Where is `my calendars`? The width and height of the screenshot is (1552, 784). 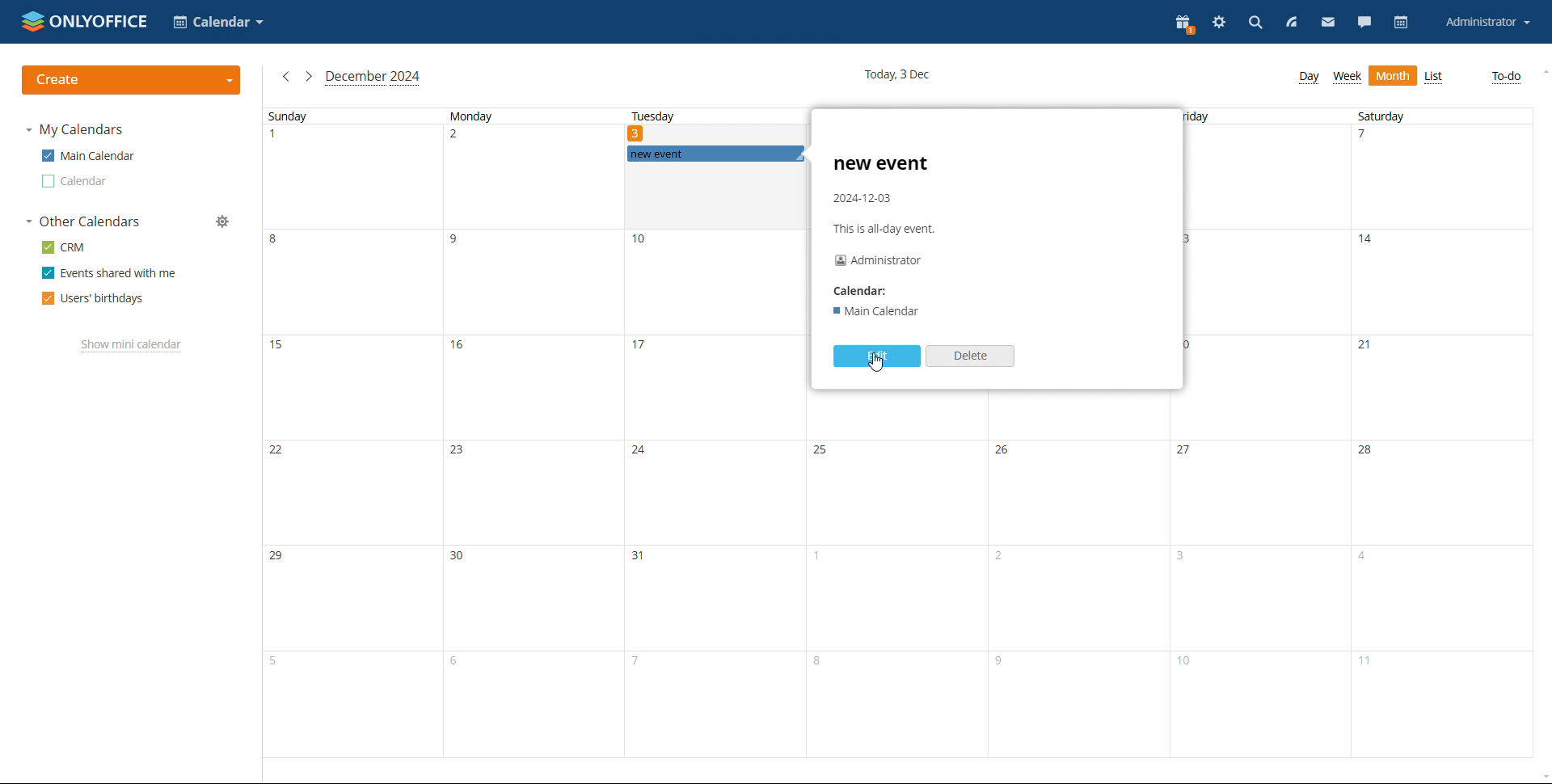
my calendars is located at coordinates (75, 130).